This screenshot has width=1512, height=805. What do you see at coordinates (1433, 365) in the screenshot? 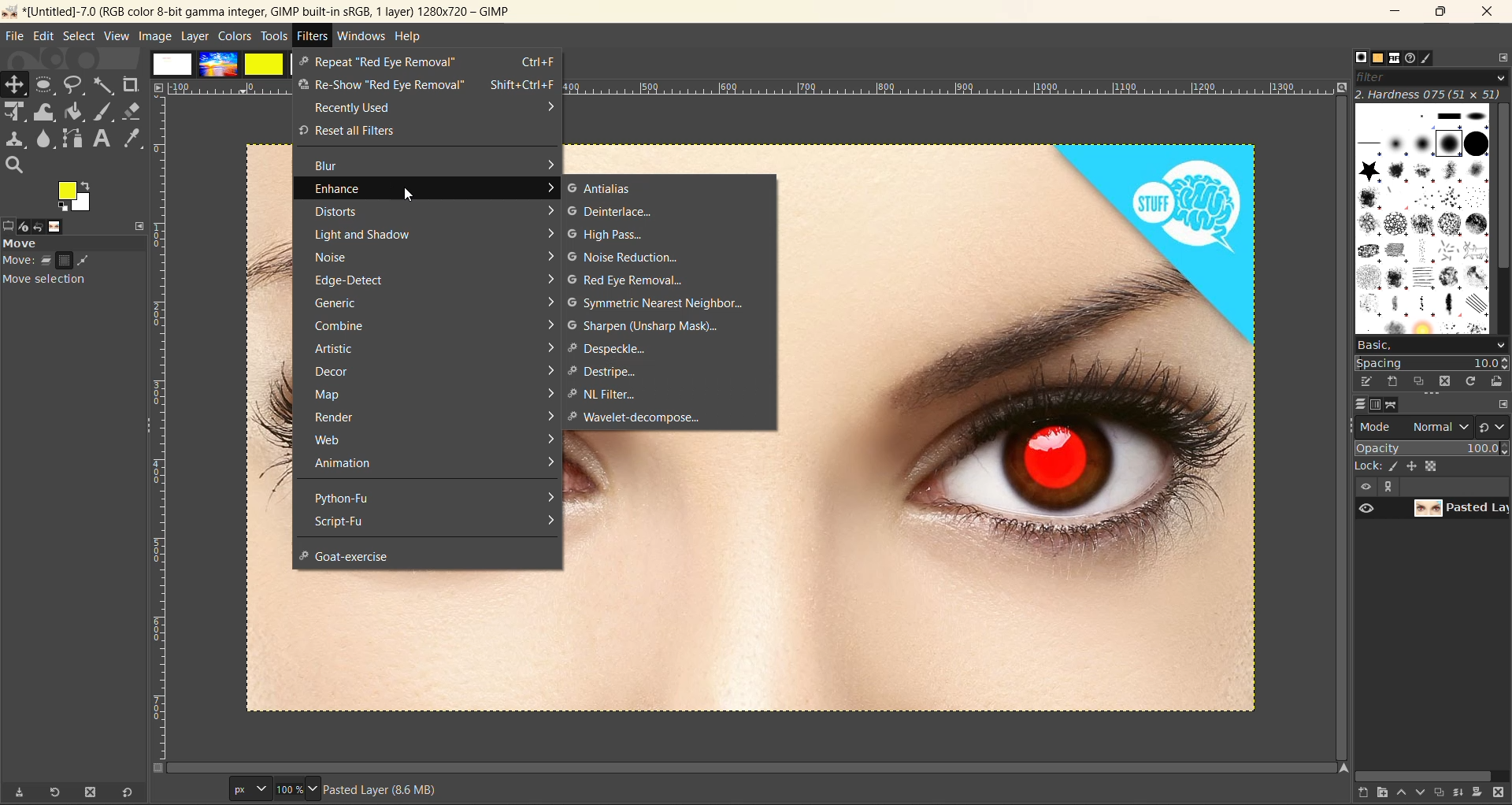
I see `spacing` at bounding box center [1433, 365].